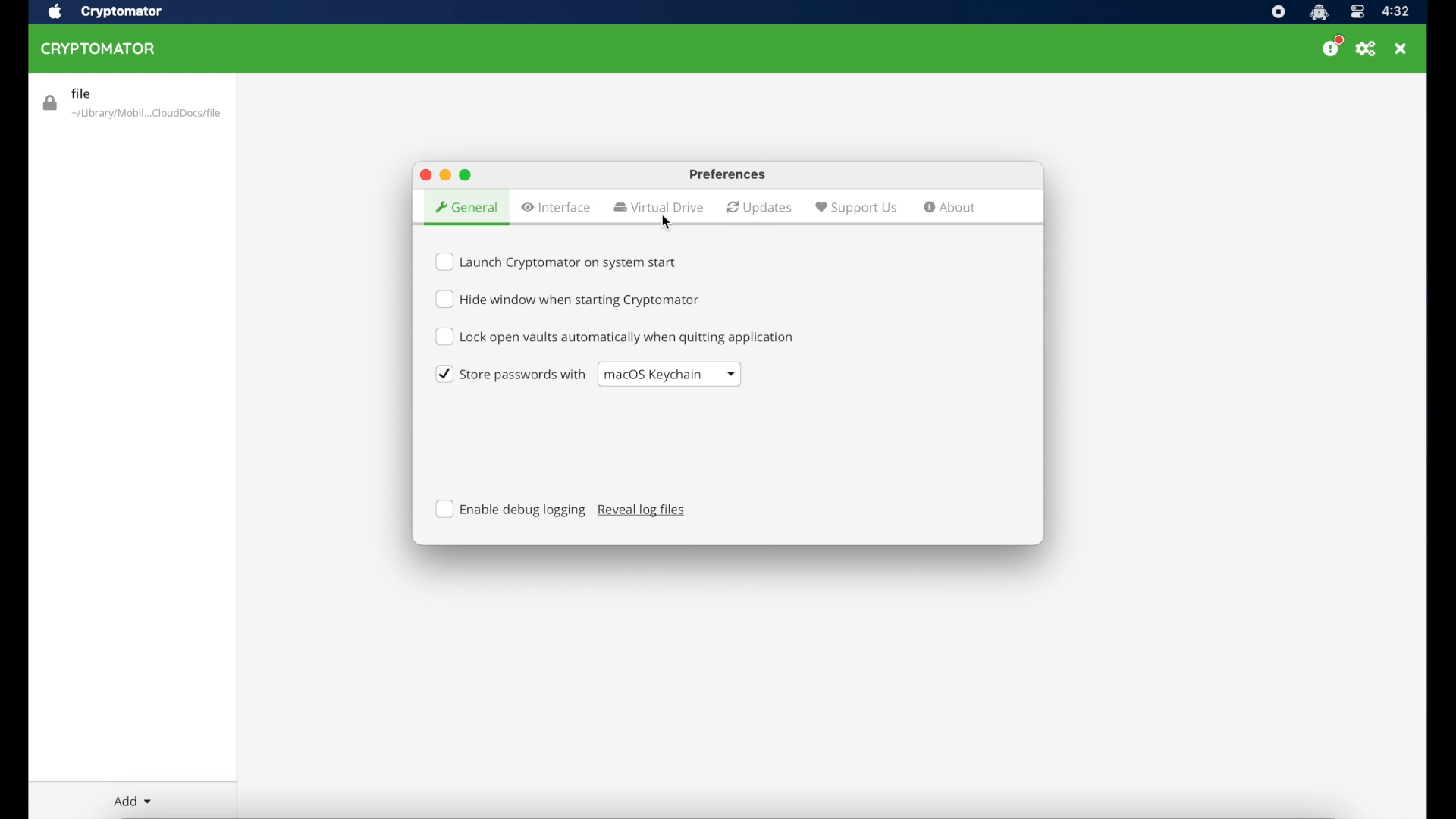 This screenshot has height=819, width=1456. I want to click on cursor, so click(670, 221).